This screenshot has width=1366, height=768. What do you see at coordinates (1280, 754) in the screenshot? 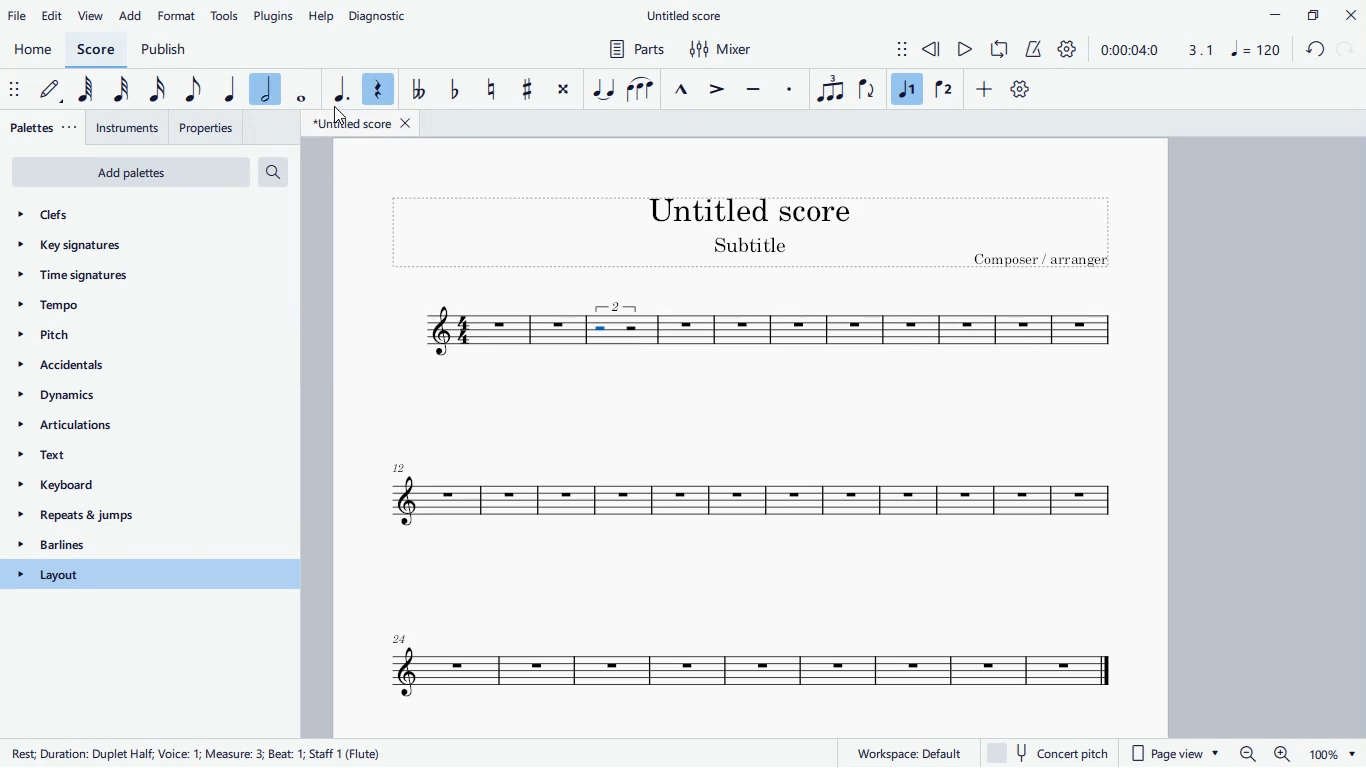
I see `zoom in` at bounding box center [1280, 754].